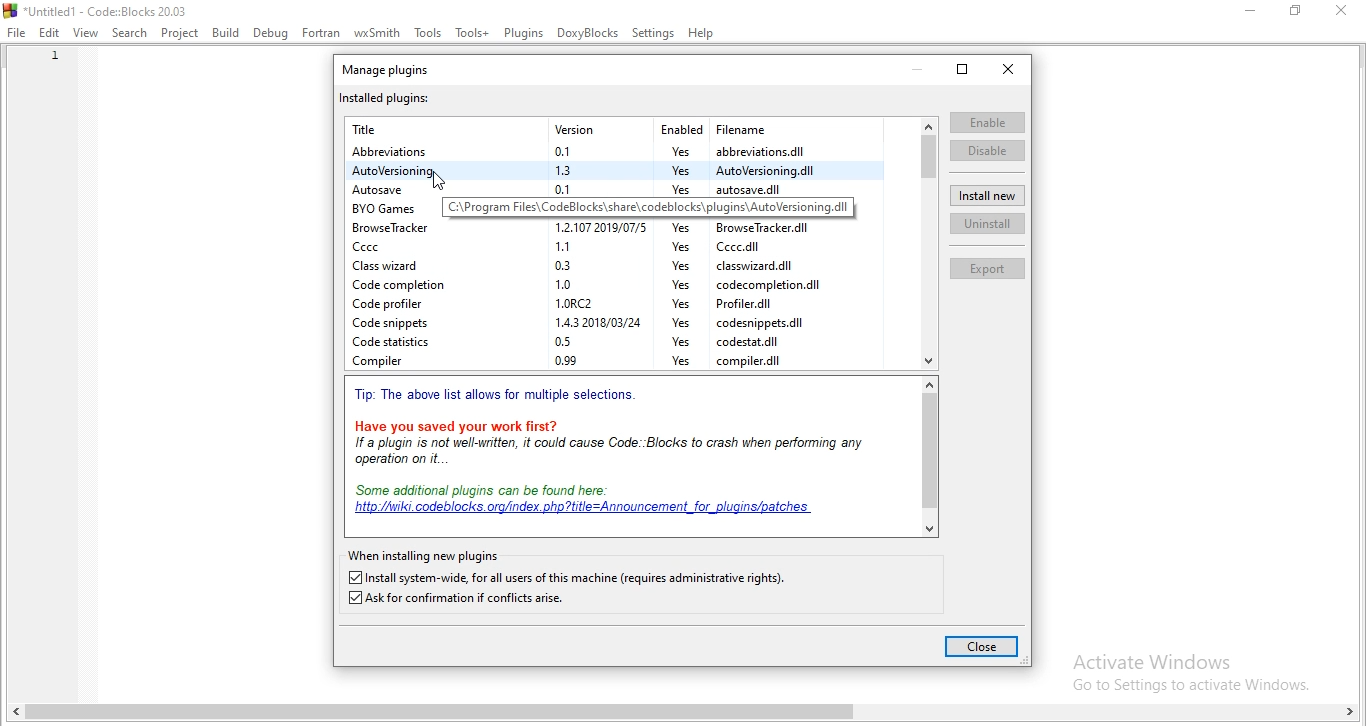 This screenshot has width=1366, height=726. I want to click on close, so click(982, 648).